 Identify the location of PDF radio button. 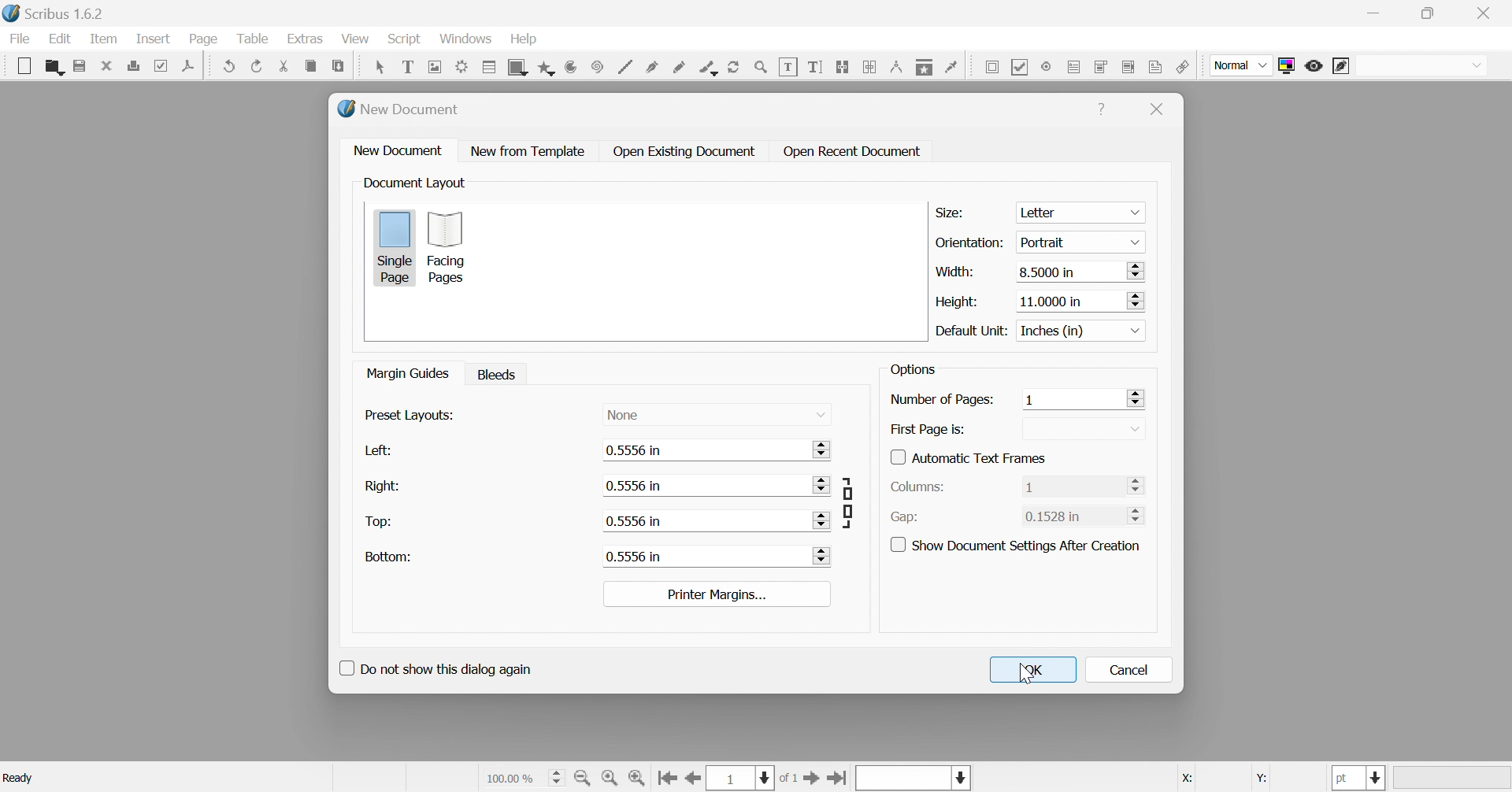
(1047, 66).